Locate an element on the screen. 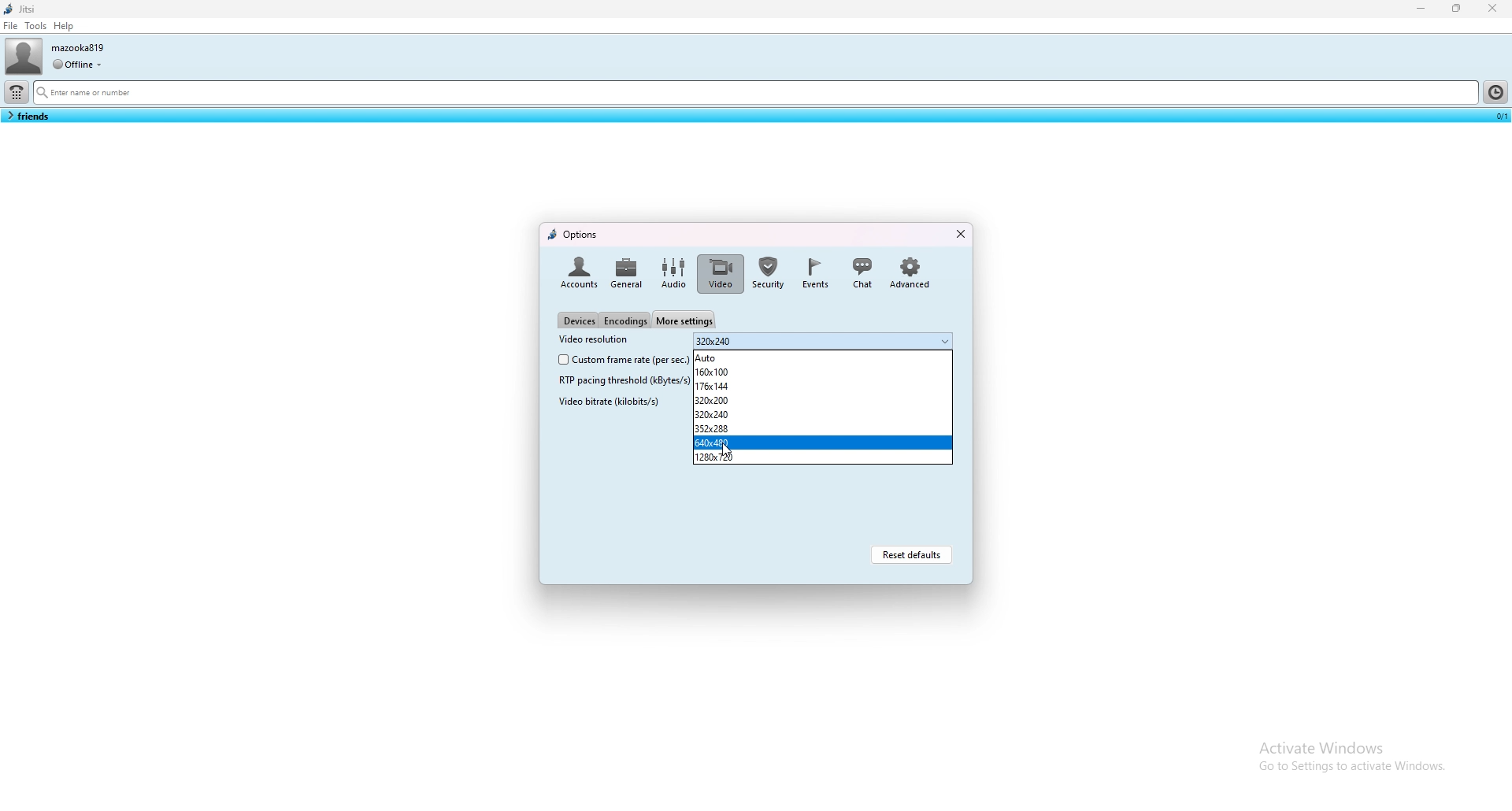  tools is located at coordinates (35, 25).